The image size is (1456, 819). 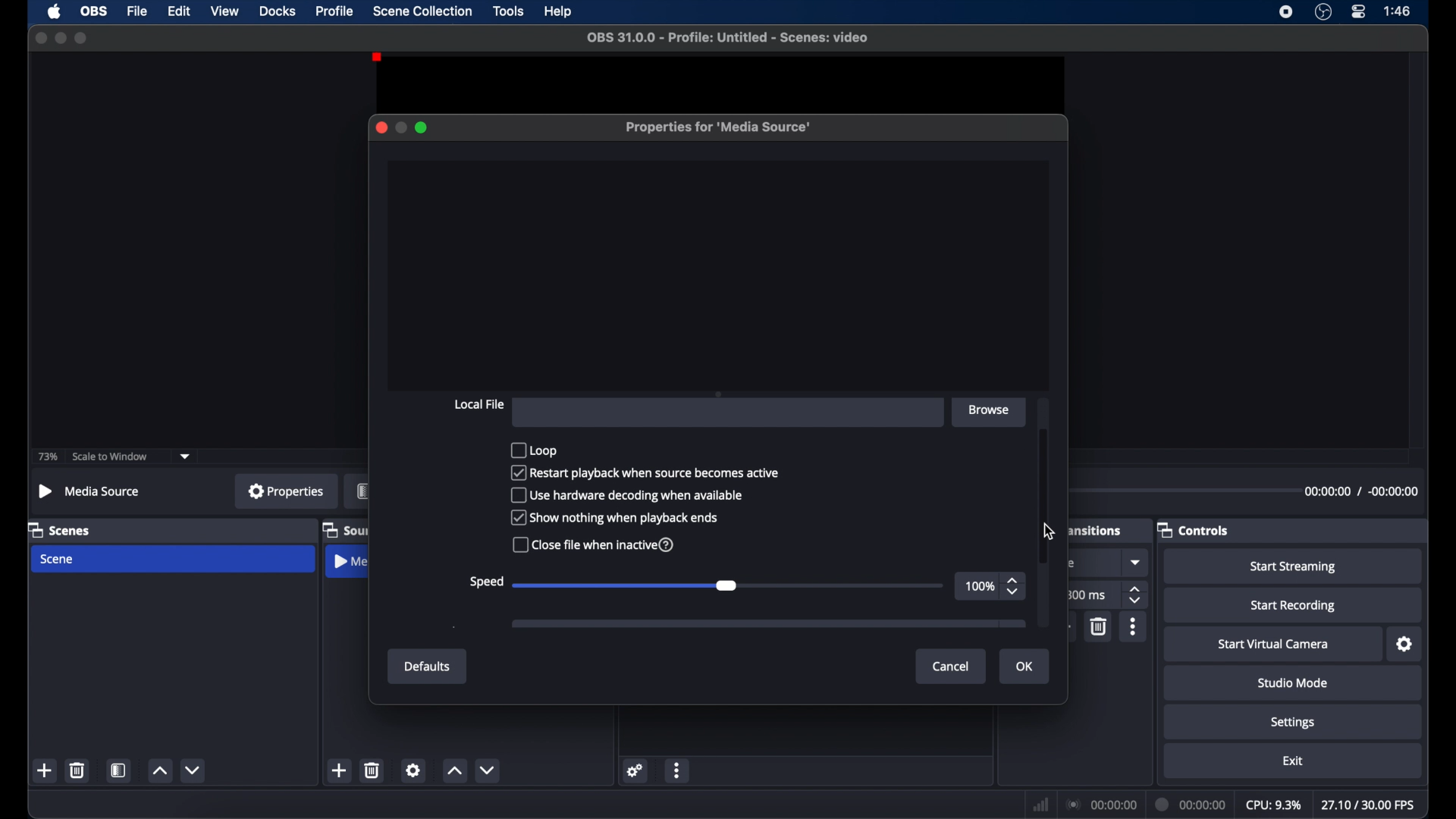 What do you see at coordinates (991, 411) in the screenshot?
I see `browse` at bounding box center [991, 411].